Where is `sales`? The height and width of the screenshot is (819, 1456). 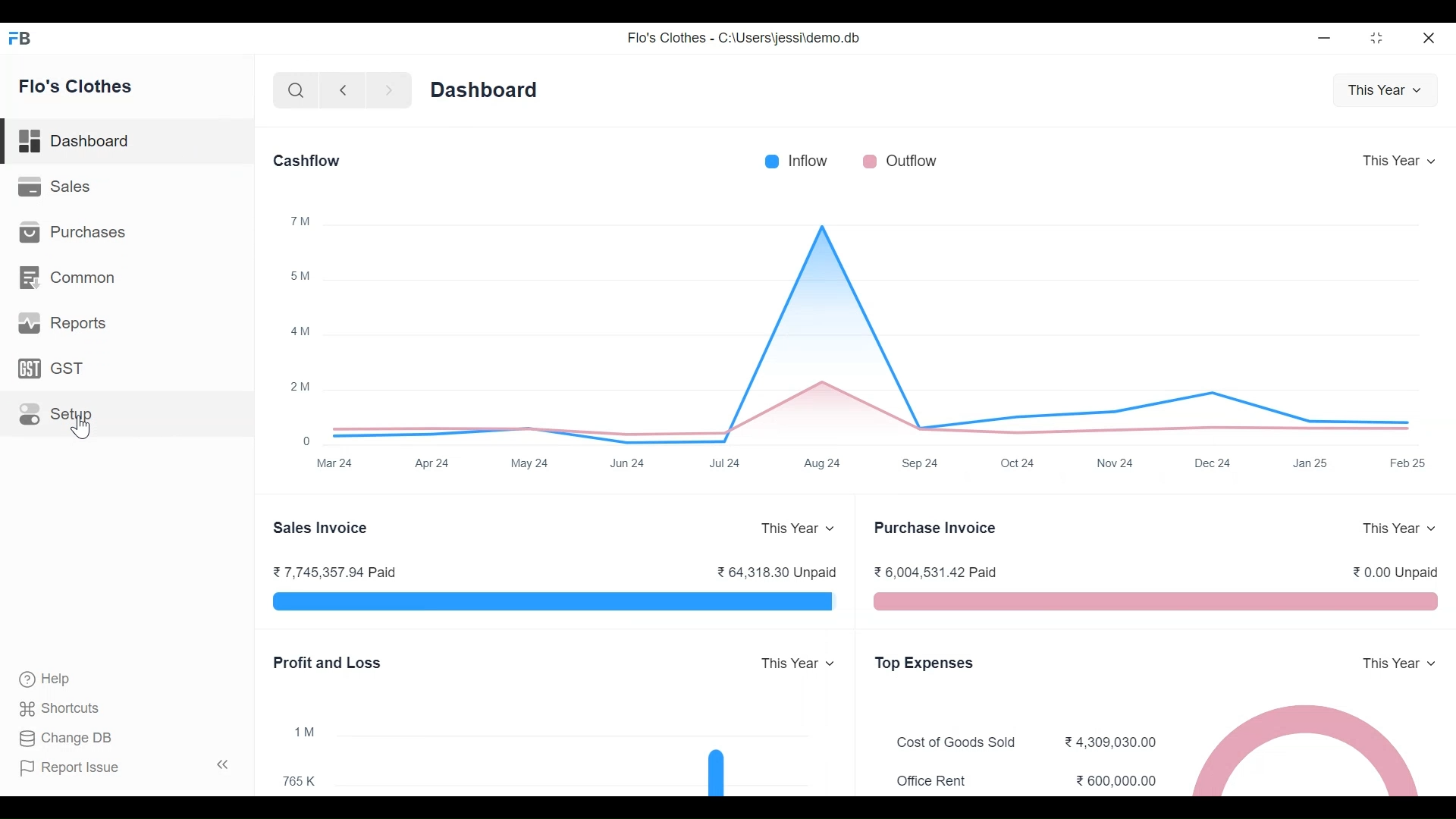
sales is located at coordinates (55, 185).